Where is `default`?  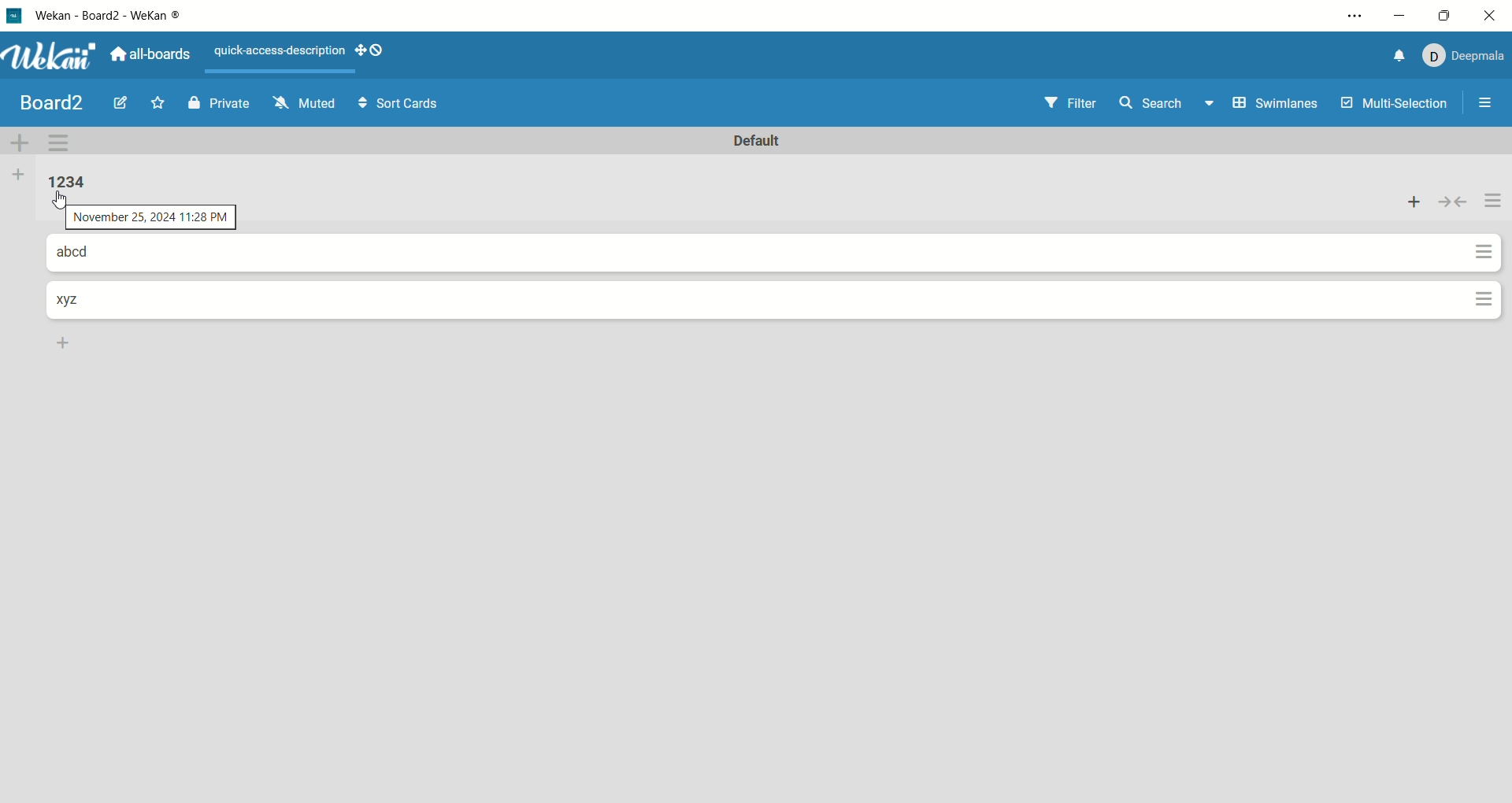
default is located at coordinates (763, 142).